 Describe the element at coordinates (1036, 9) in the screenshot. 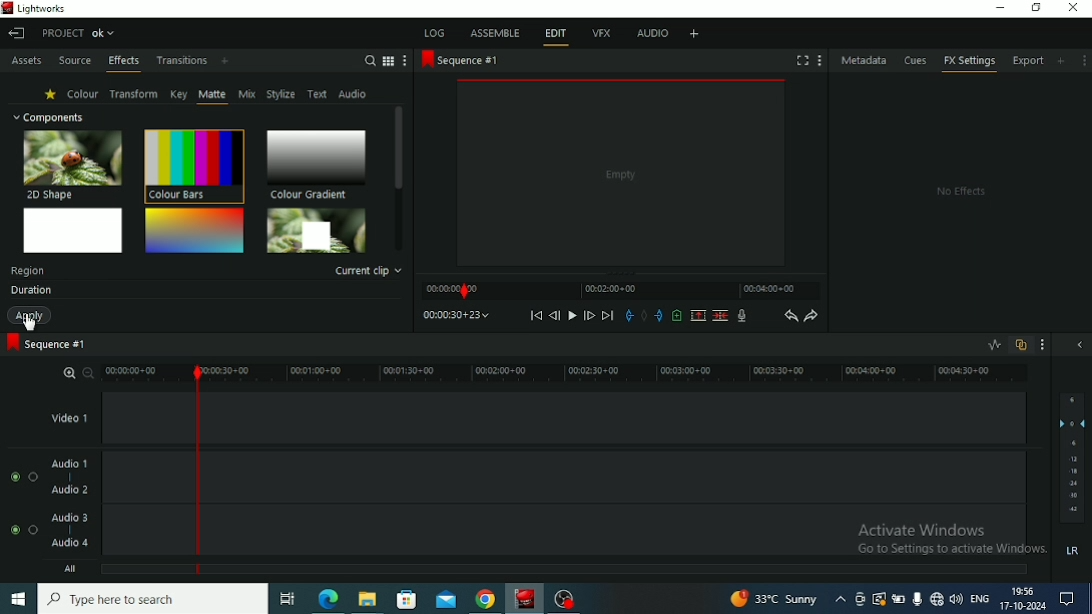

I see `Restore` at that location.